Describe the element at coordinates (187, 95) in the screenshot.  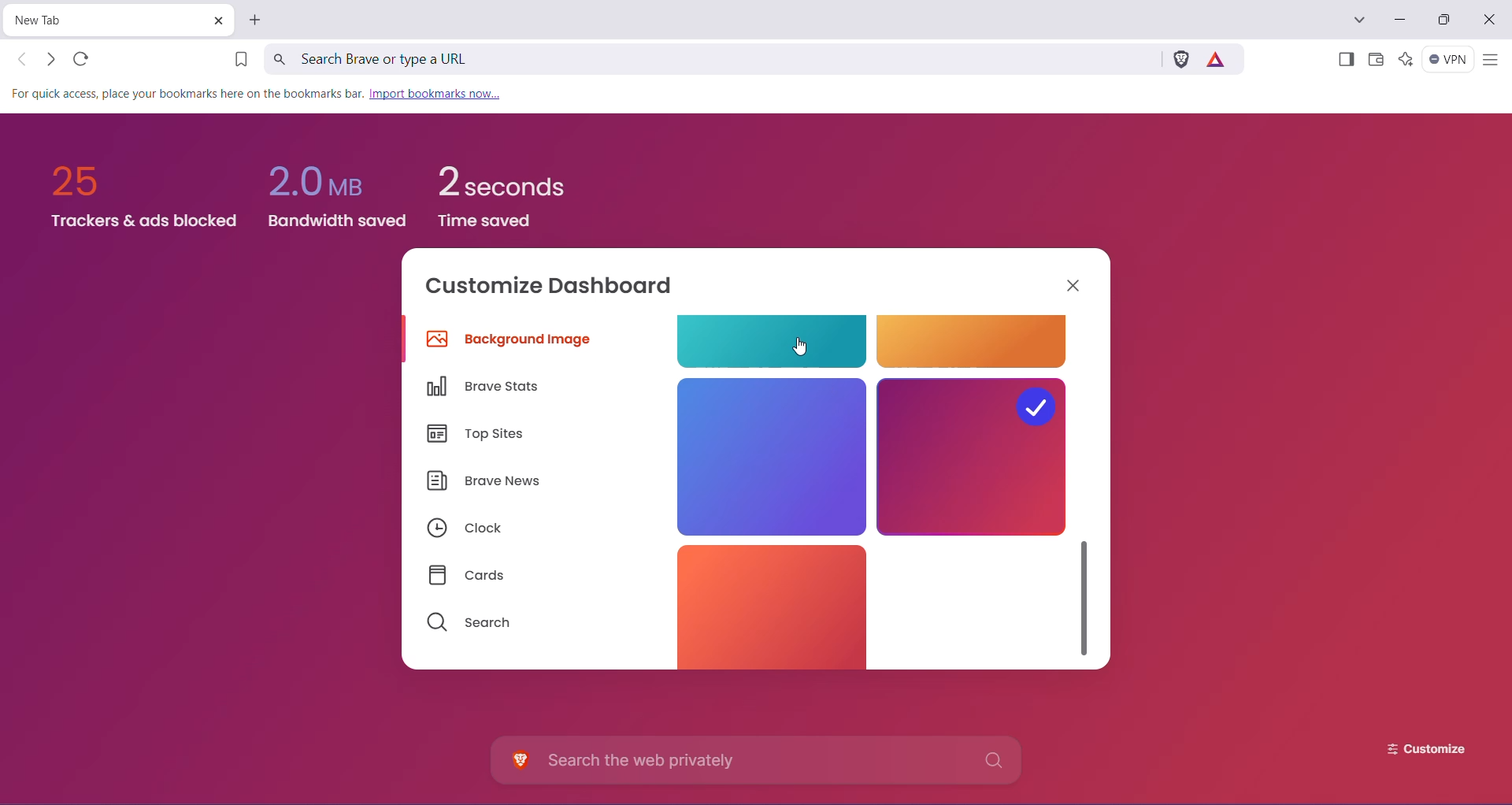
I see `For quick access, place your bookmarks here on the bookmarks bar.` at that location.